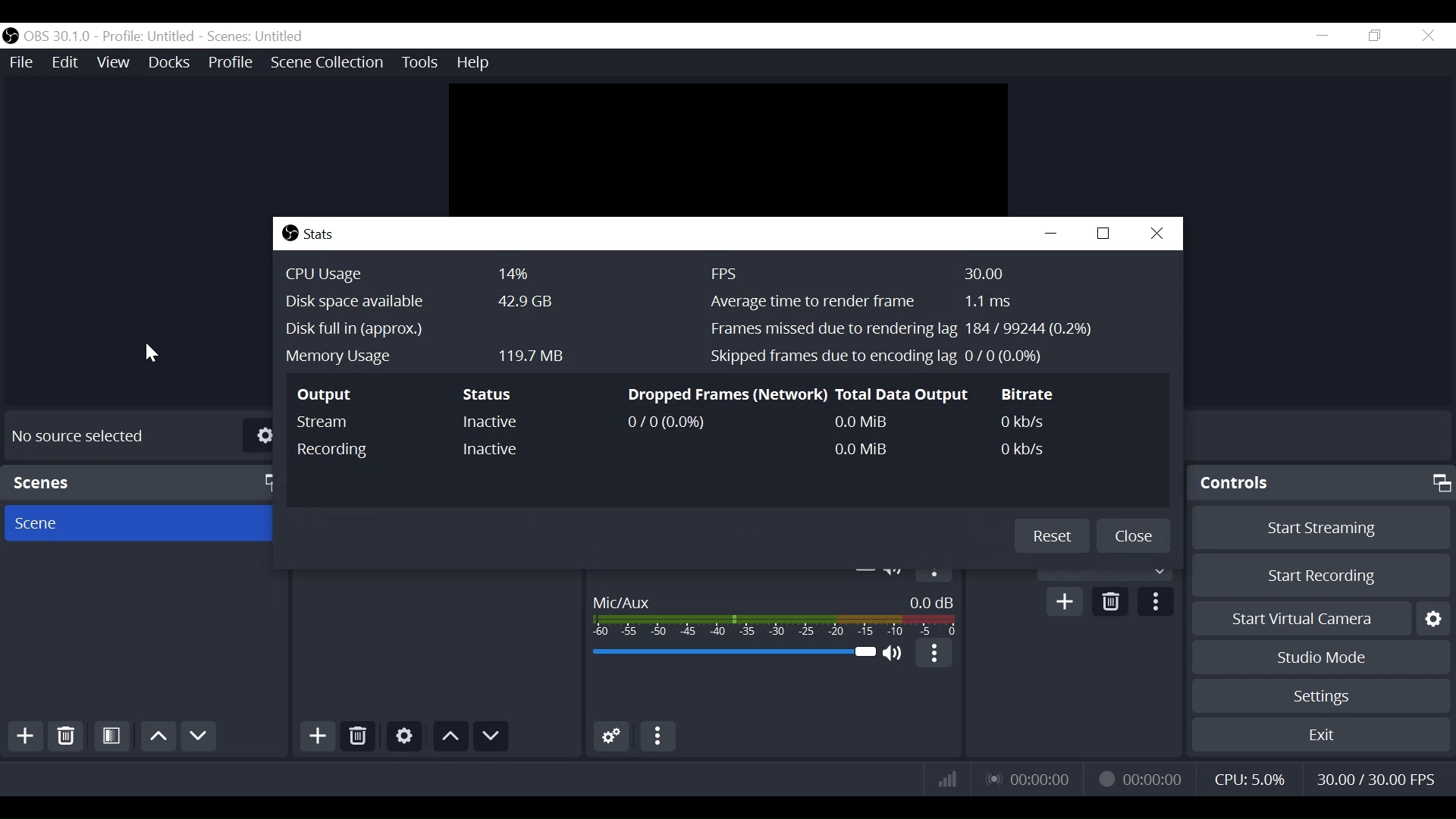  Describe the element at coordinates (80, 435) in the screenshot. I see `No source Selected` at that location.